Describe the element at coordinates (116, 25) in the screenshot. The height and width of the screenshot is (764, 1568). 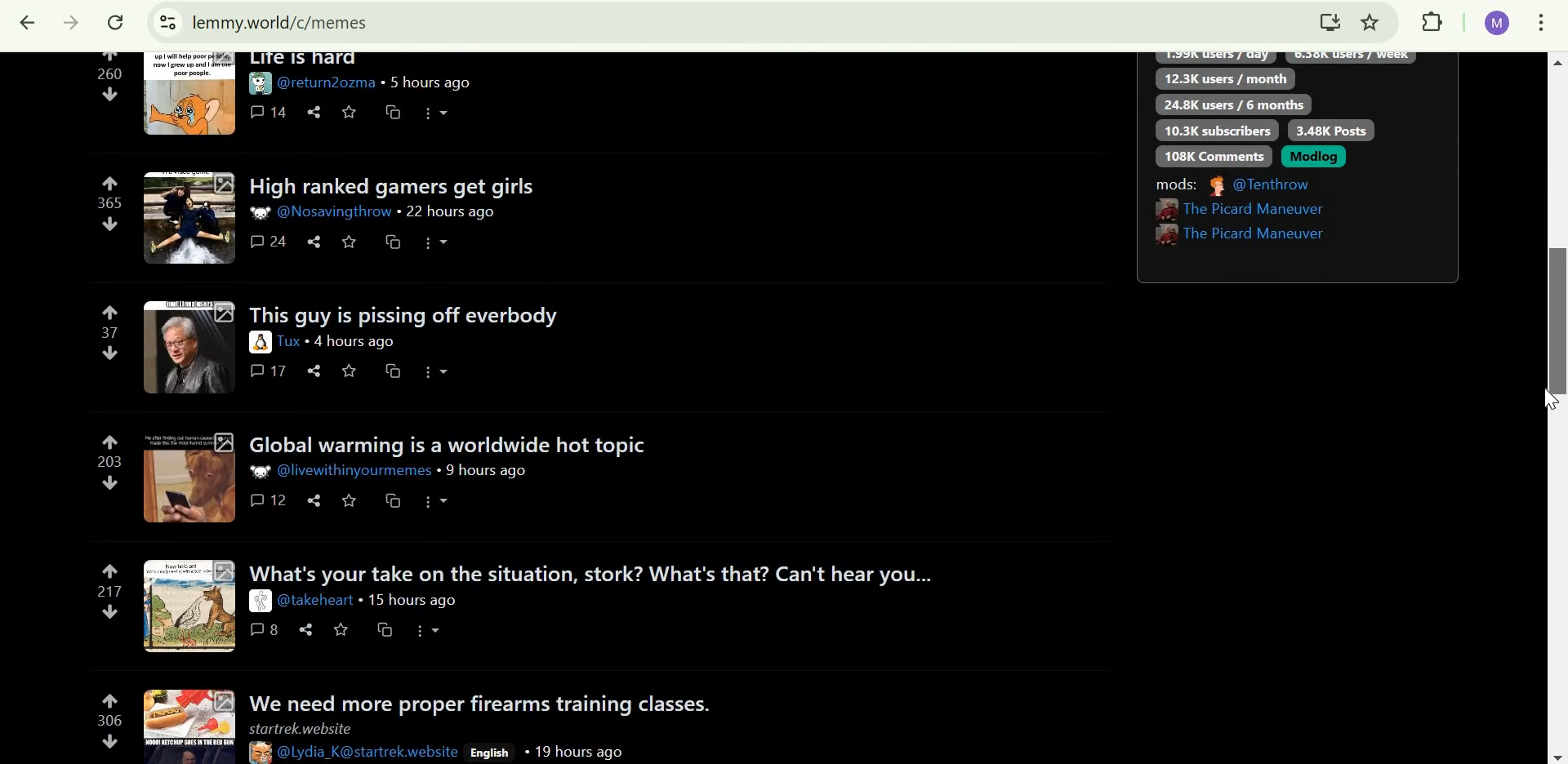
I see `reload this page` at that location.